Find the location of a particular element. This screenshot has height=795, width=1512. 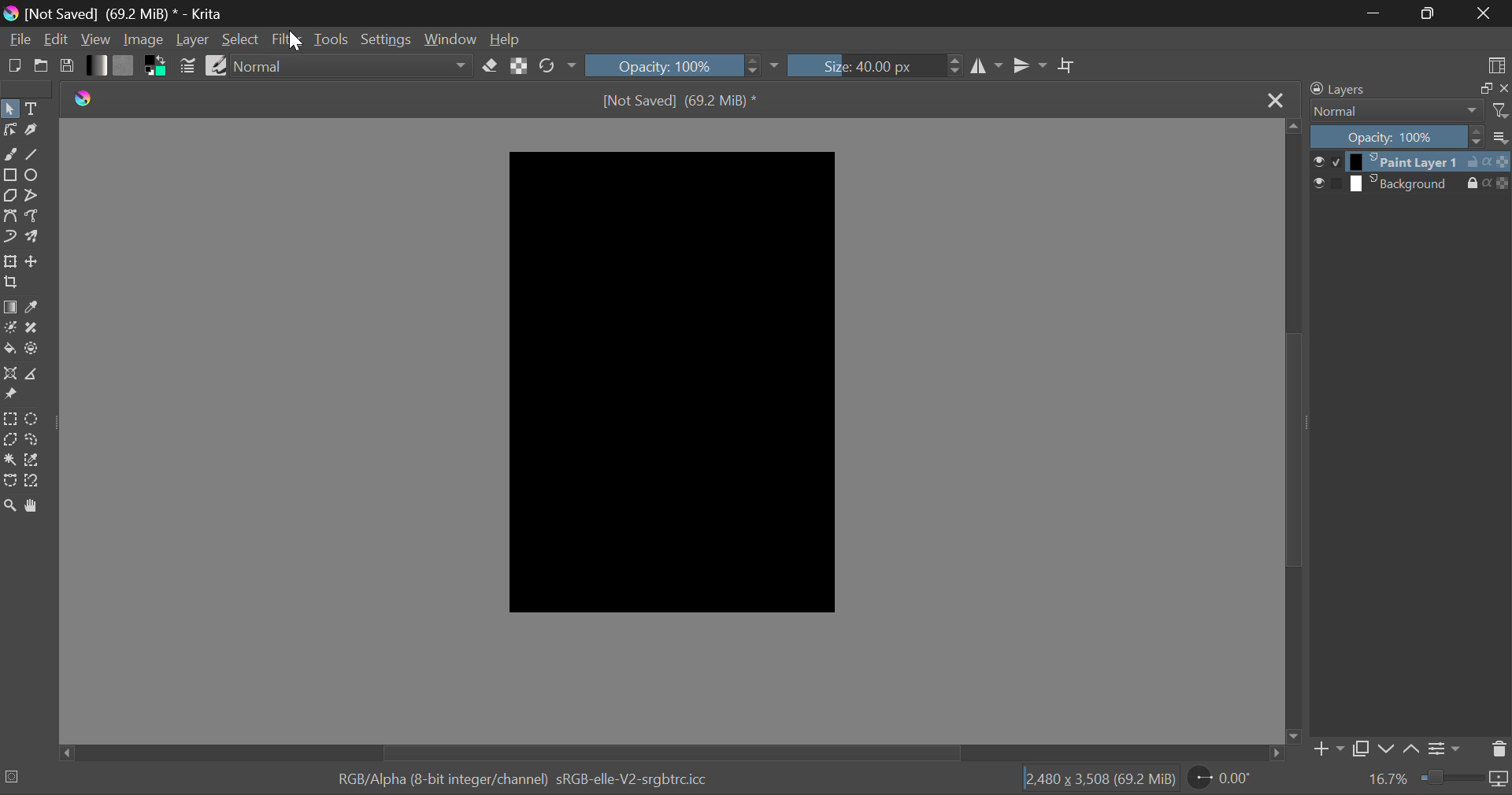

Crop is located at coordinates (9, 283).